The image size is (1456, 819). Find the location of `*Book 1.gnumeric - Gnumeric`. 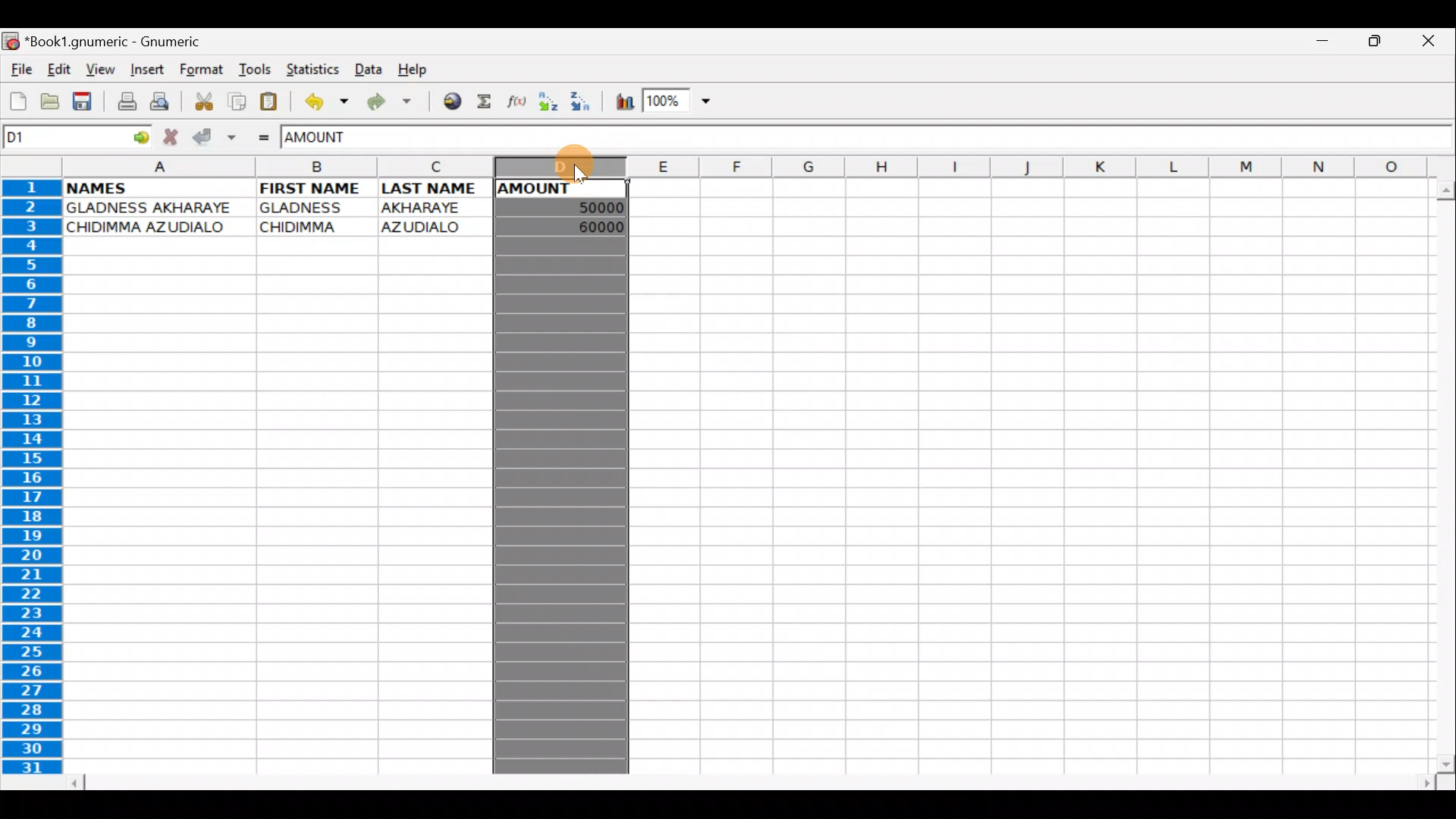

*Book 1.gnumeric - Gnumeric is located at coordinates (124, 43).